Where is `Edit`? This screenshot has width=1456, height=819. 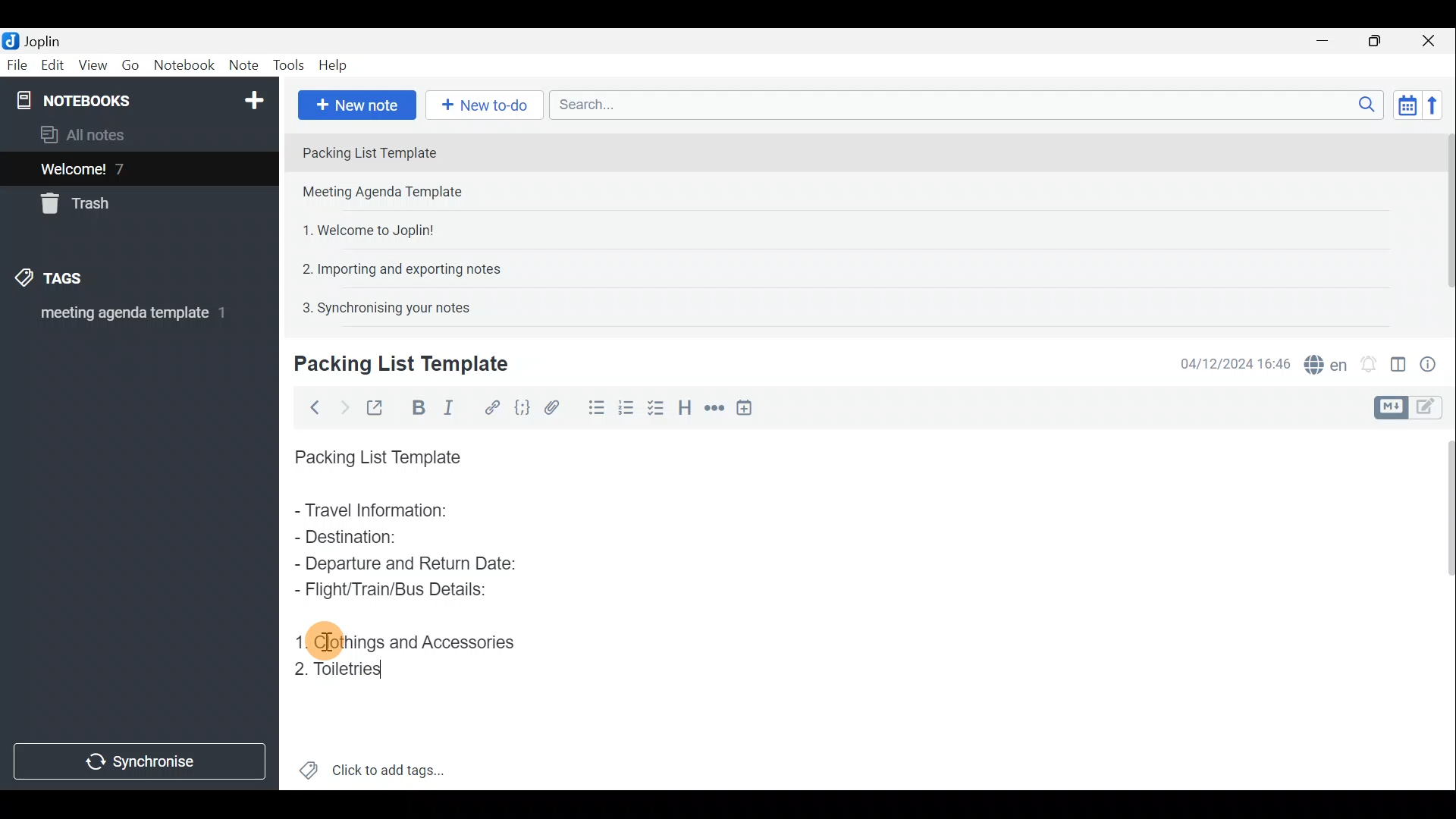
Edit is located at coordinates (49, 66).